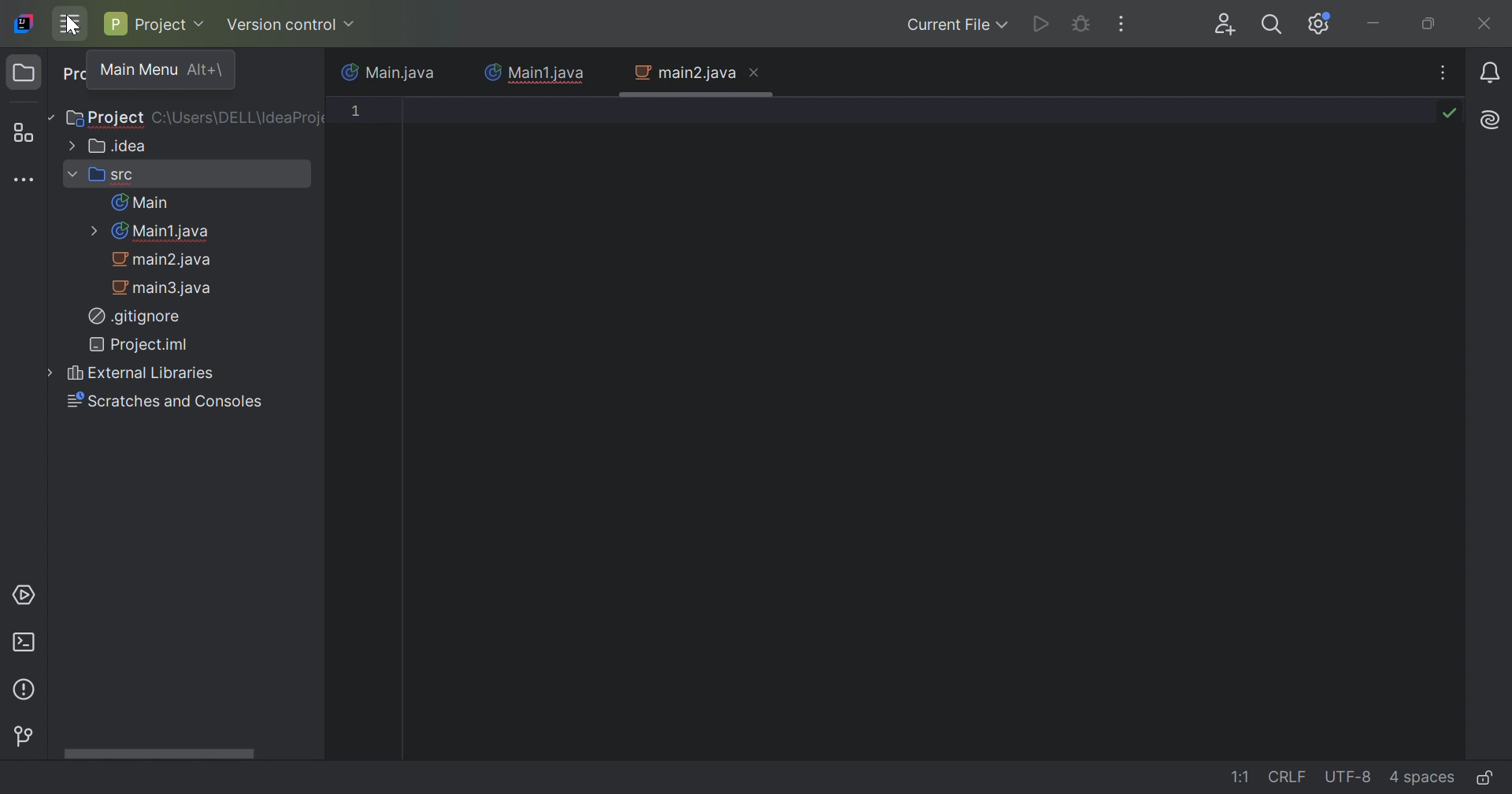  What do you see at coordinates (105, 145) in the screenshot?
I see `.idea` at bounding box center [105, 145].